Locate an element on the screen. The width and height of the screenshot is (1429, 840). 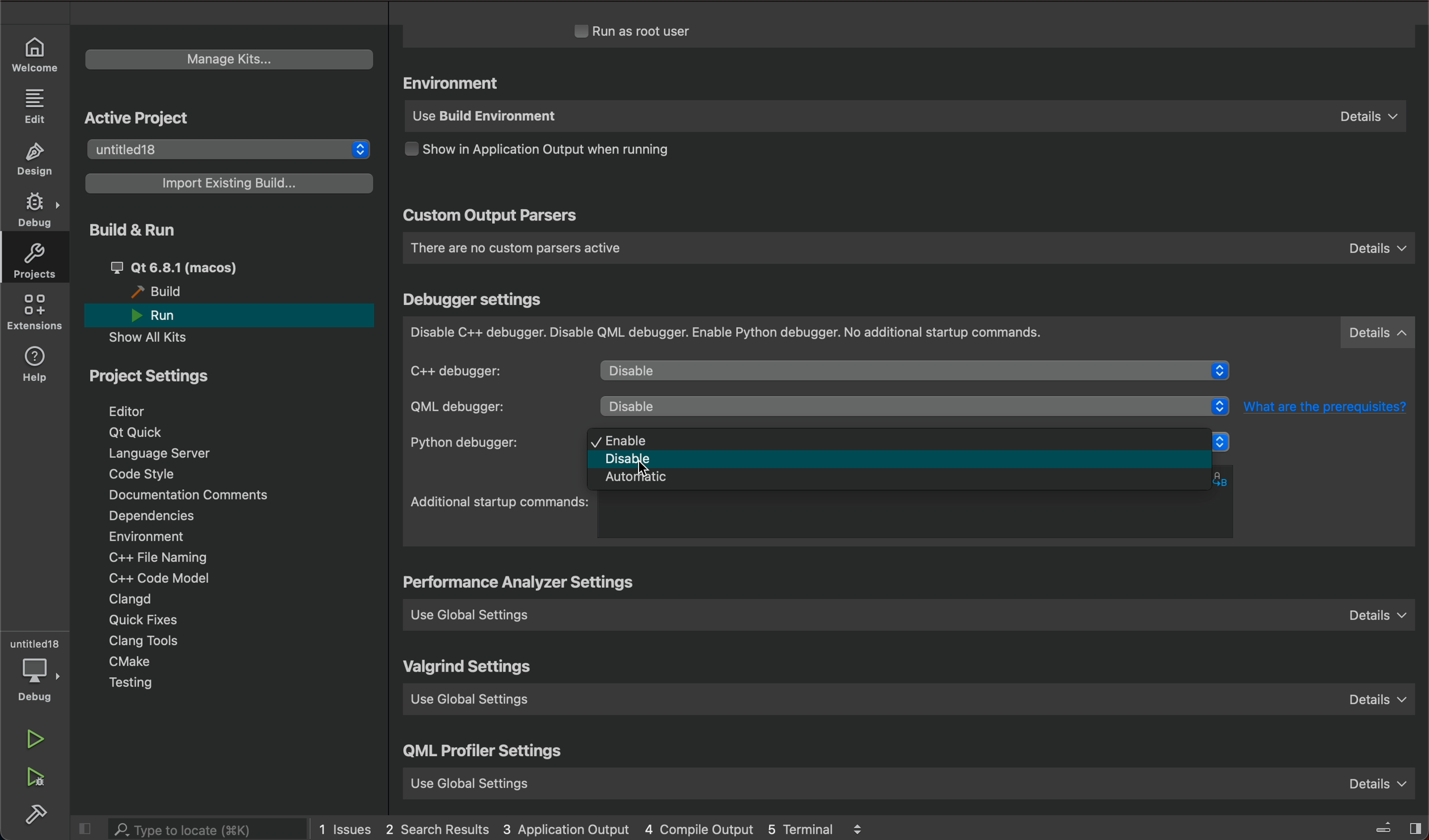
run is located at coordinates (166, 316).